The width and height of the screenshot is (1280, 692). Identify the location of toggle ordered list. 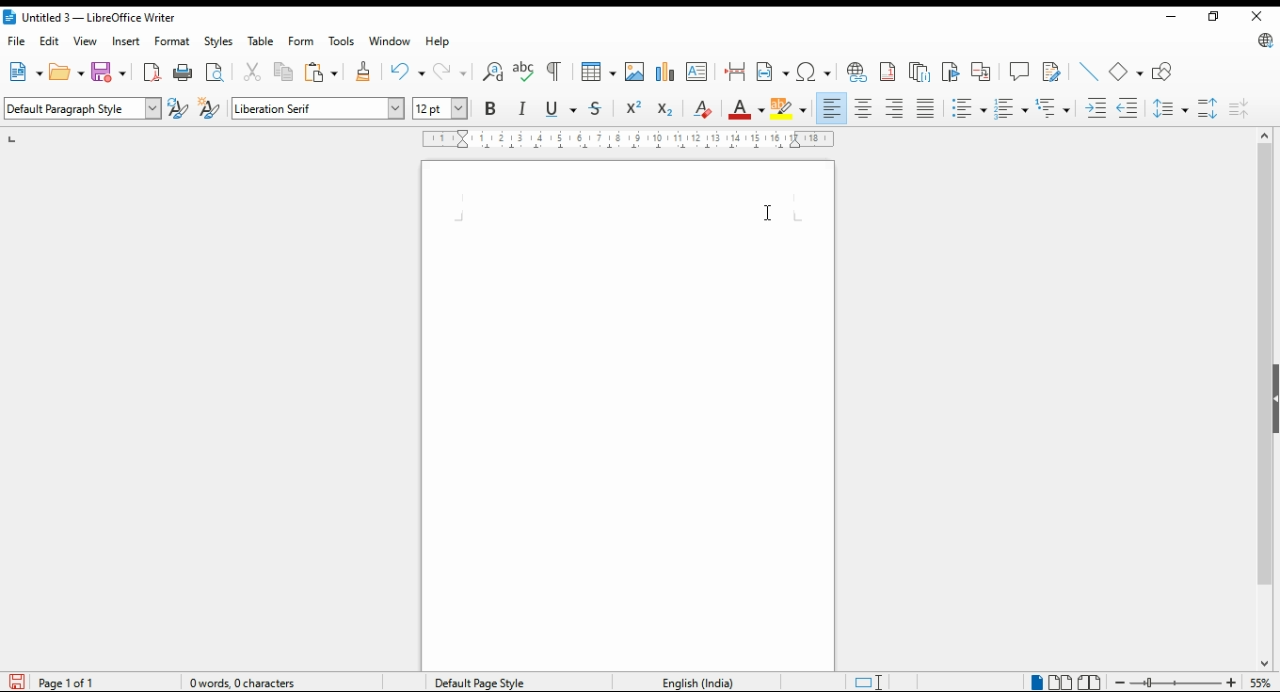
(1011, 109).